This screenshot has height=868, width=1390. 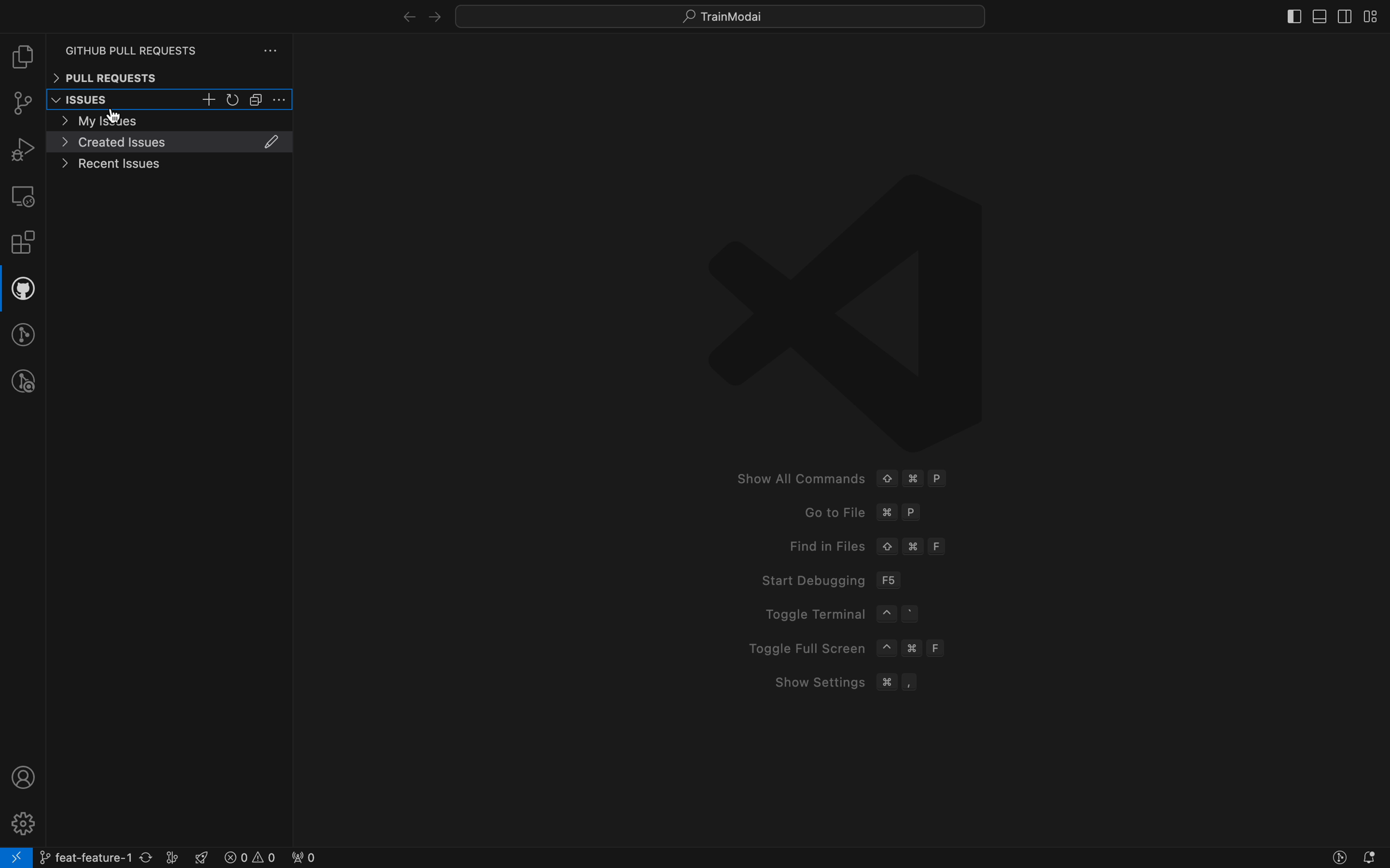 I want to click on toggle primary, so click(x=1320, y=14).